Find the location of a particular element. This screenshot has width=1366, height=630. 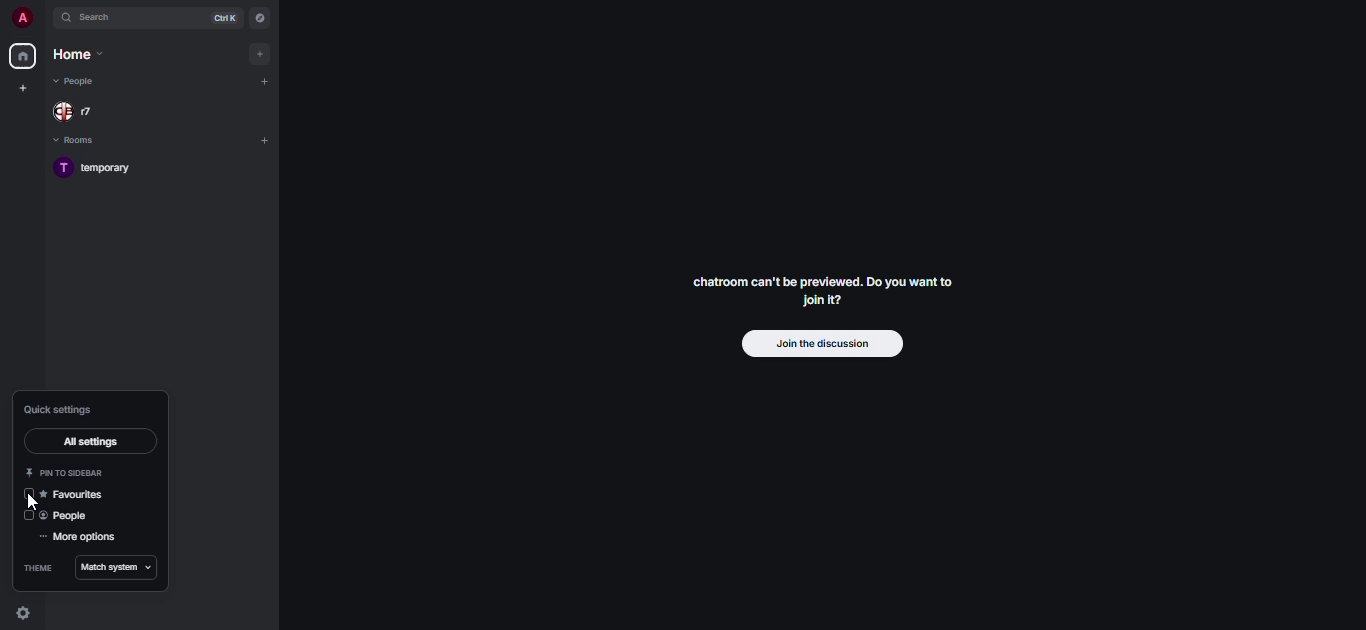

search is located at coordinates (92, 19).